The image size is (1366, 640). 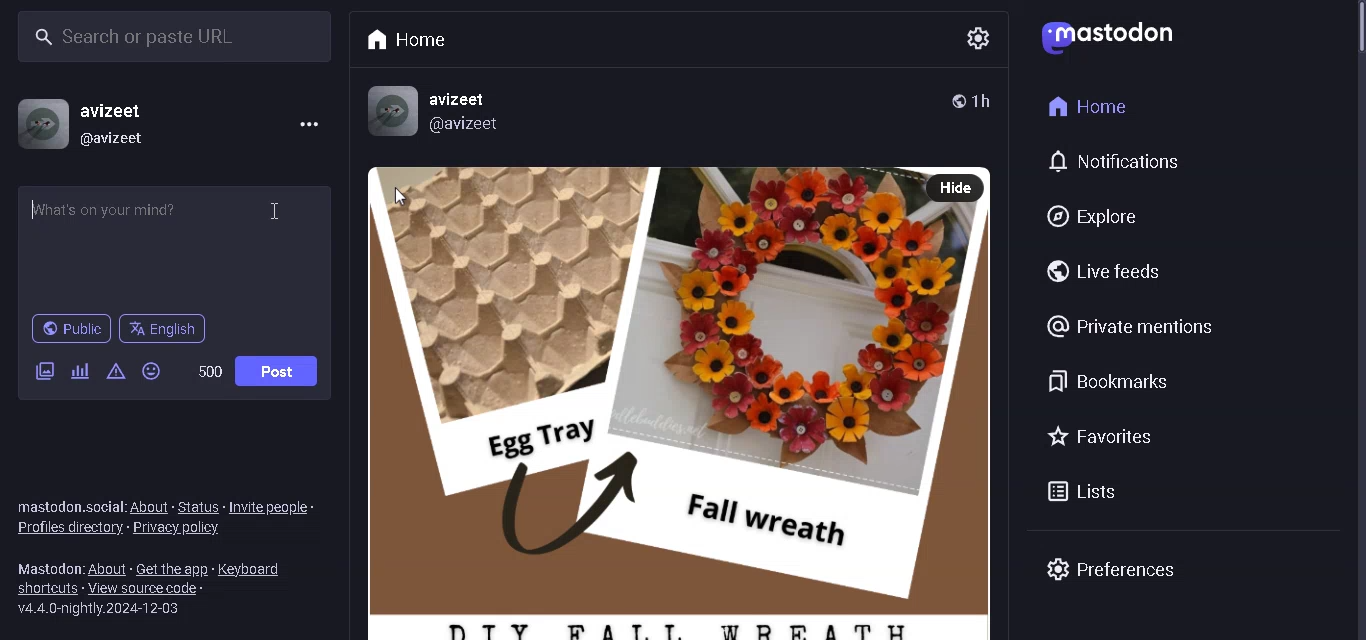 What do you see at coordinates (1130, 325) in the screenshot?
I see `PRIVATE MENTIONS` at bounding box center [1130, 325].